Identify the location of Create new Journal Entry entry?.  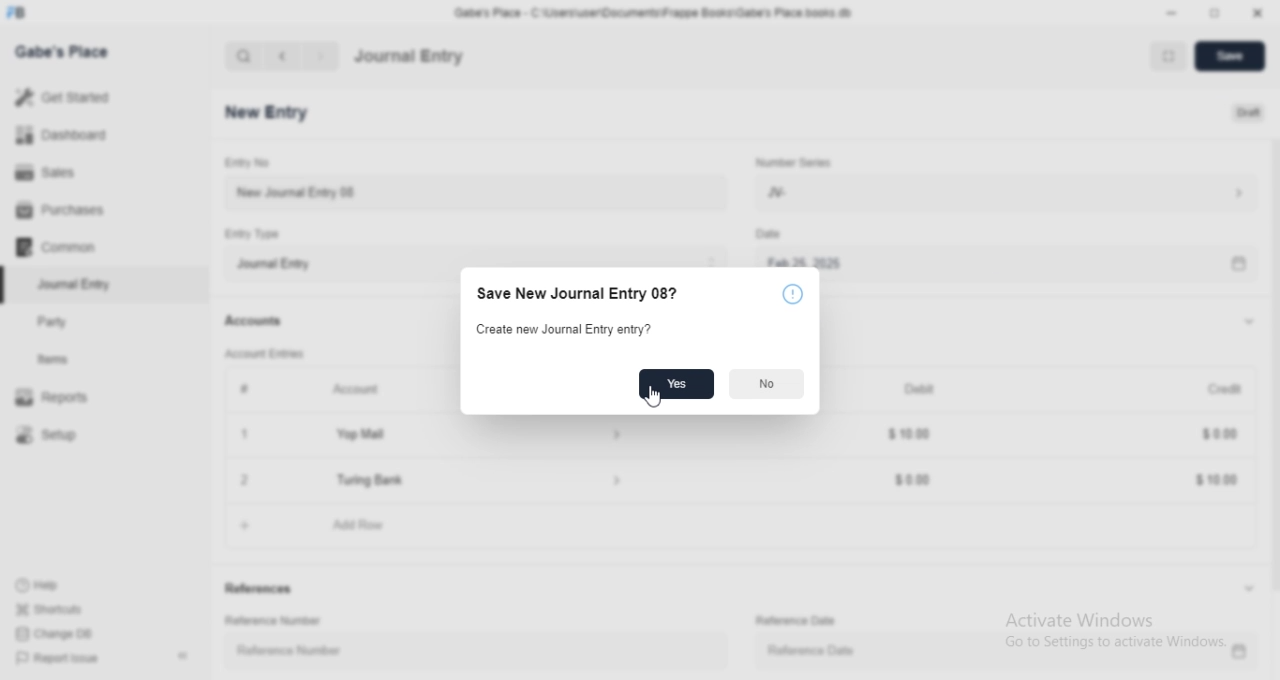
(566, 331).